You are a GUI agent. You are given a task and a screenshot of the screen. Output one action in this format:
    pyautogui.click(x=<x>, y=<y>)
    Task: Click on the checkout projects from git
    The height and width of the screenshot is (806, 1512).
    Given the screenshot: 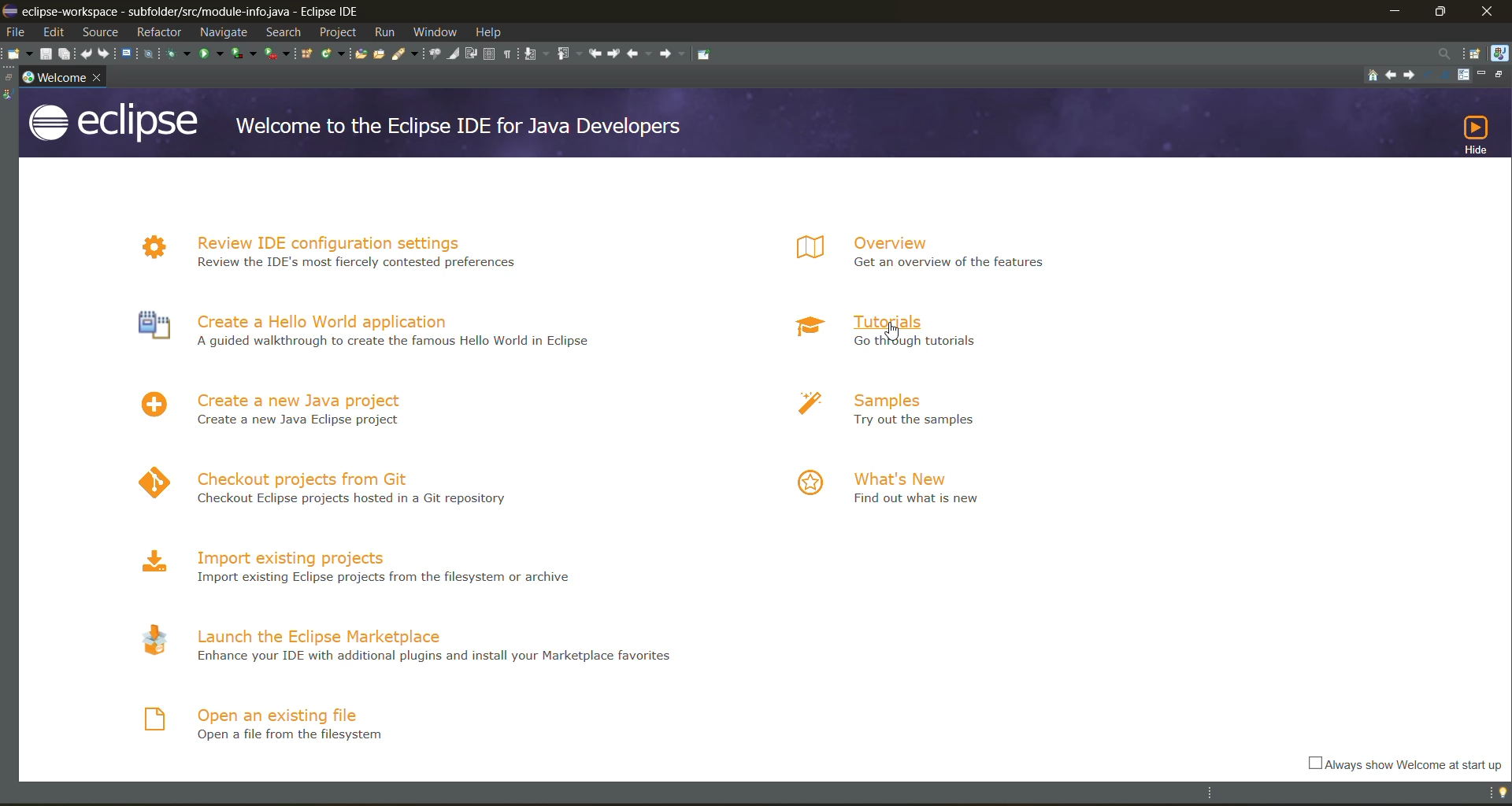 What is the action you would take?
    pyautogui.click(x=334, y=491)
    